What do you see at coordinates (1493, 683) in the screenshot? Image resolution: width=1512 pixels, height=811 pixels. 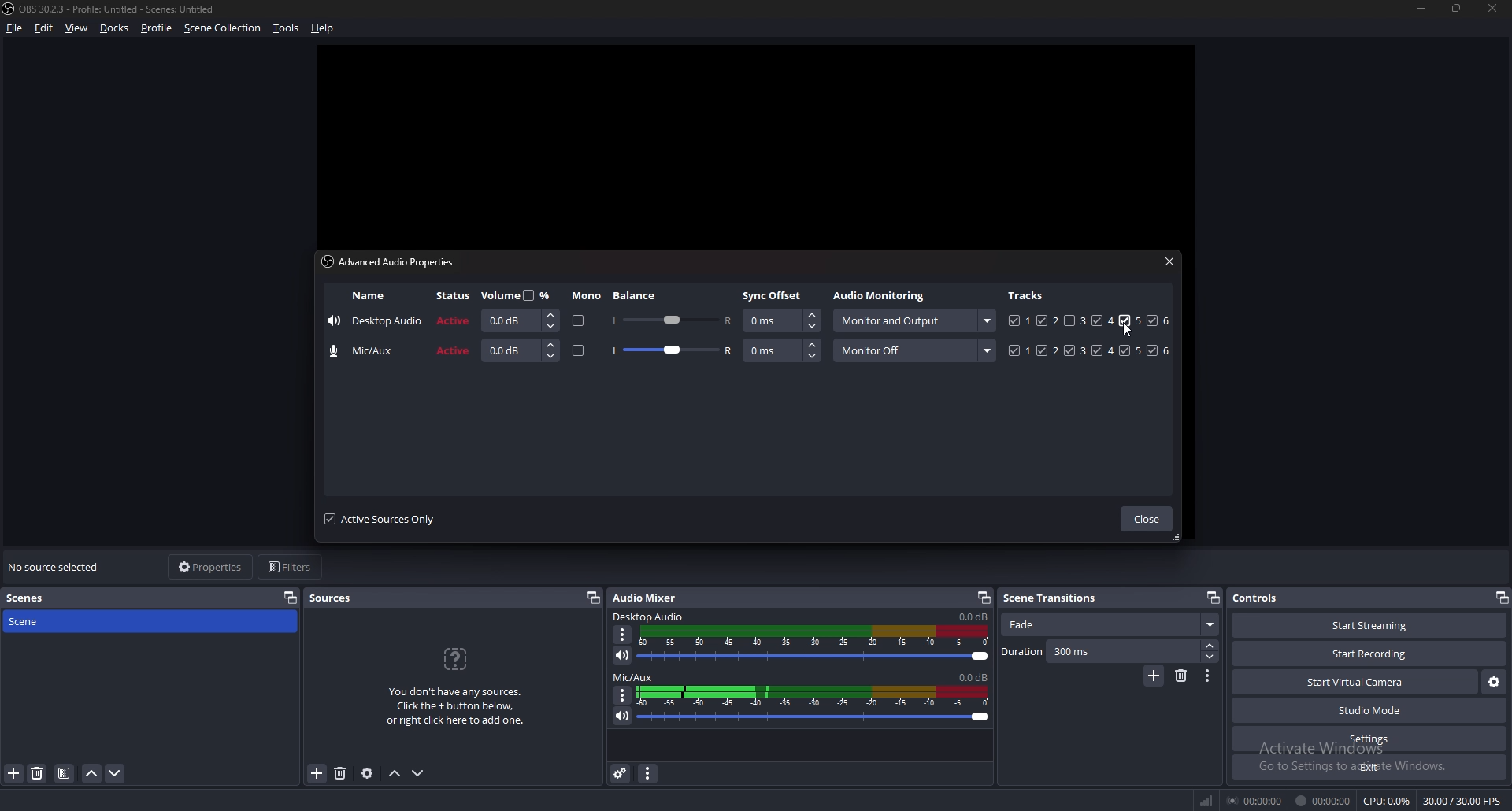 I see `configure virtual camera` at bounding box center [1493, 683].